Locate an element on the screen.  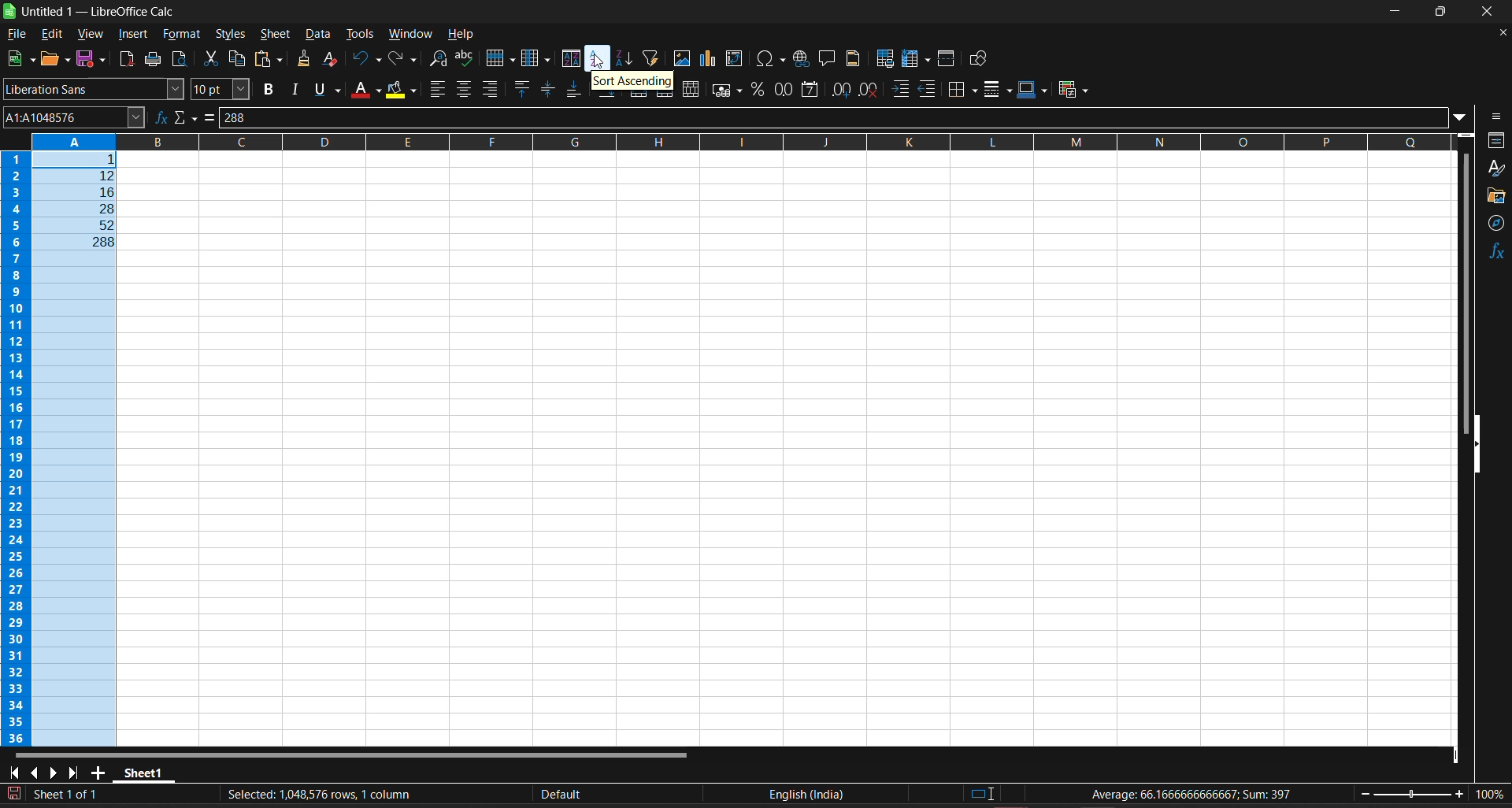
save is located at coordinates (90, 60).